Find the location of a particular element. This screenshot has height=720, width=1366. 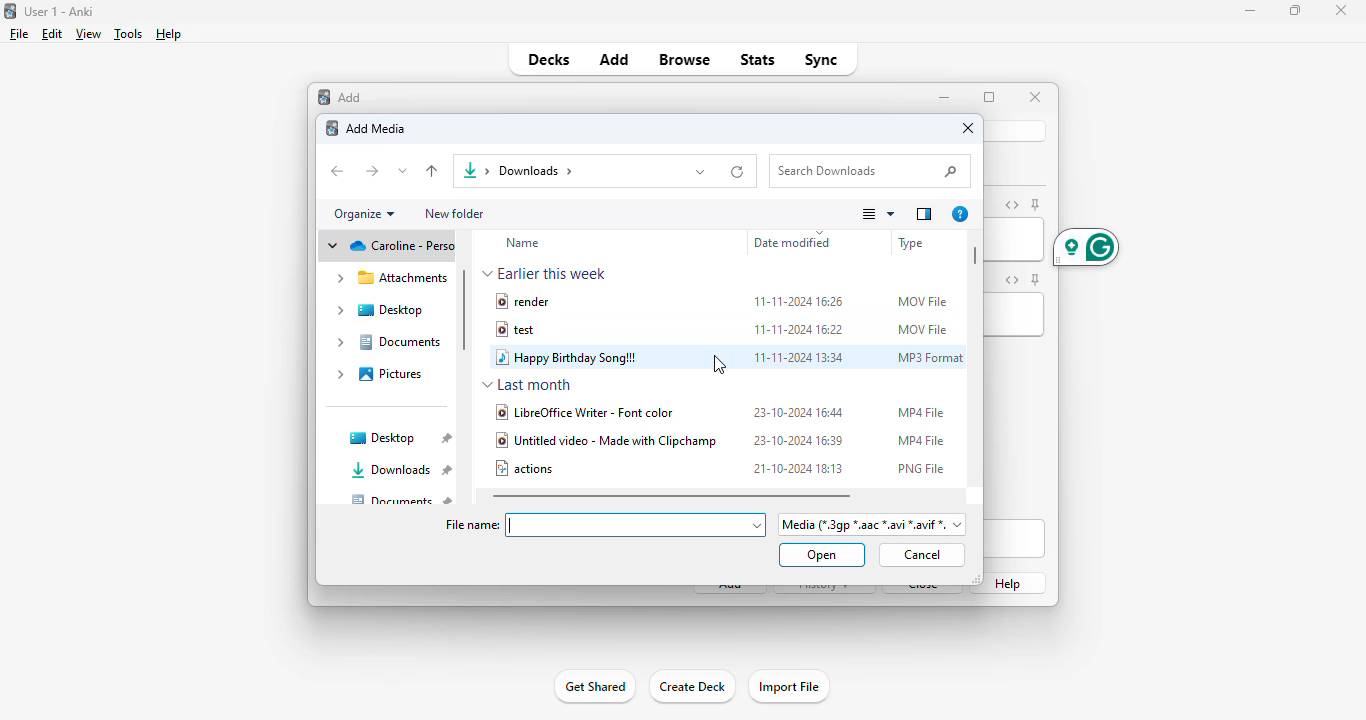

21-10-2024 is located at coordinates (798, 469).